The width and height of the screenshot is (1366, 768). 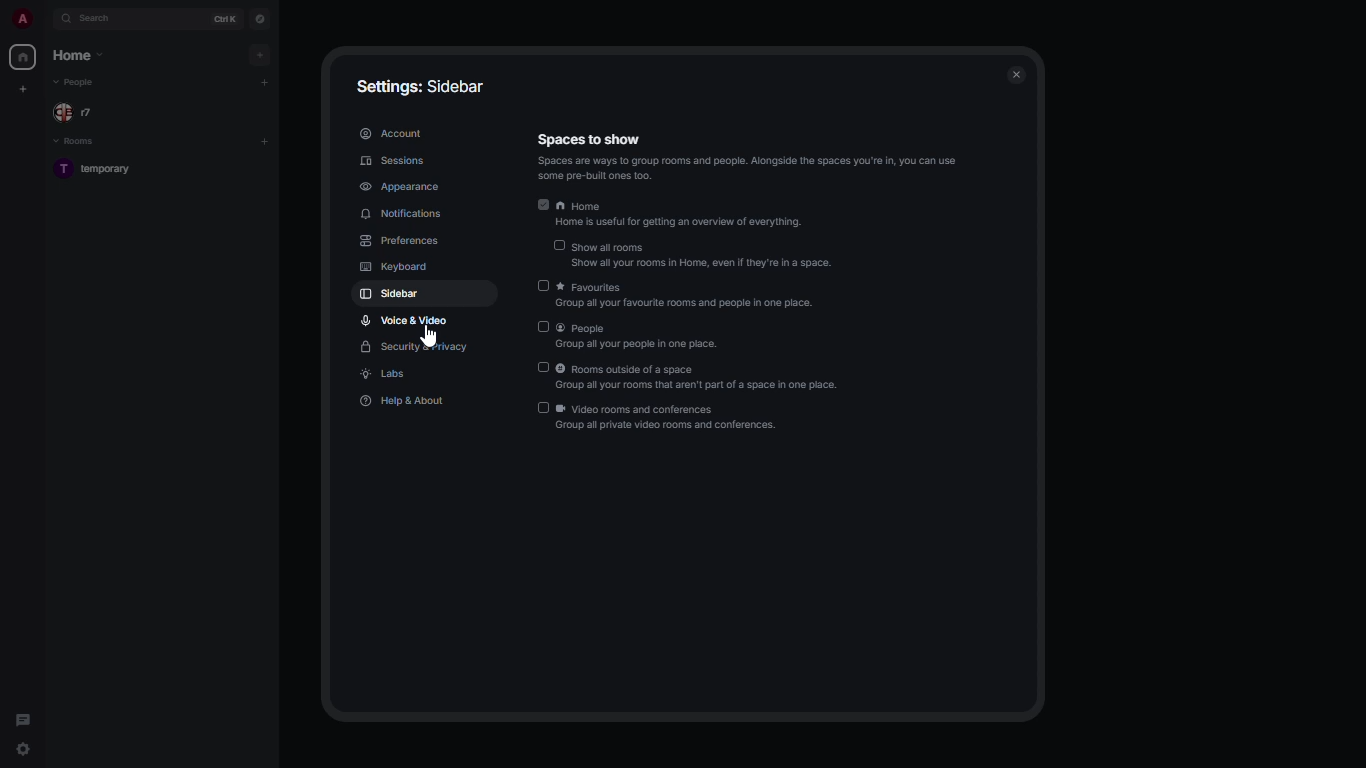 I want to click on disabled, so click(x=542, y=327).